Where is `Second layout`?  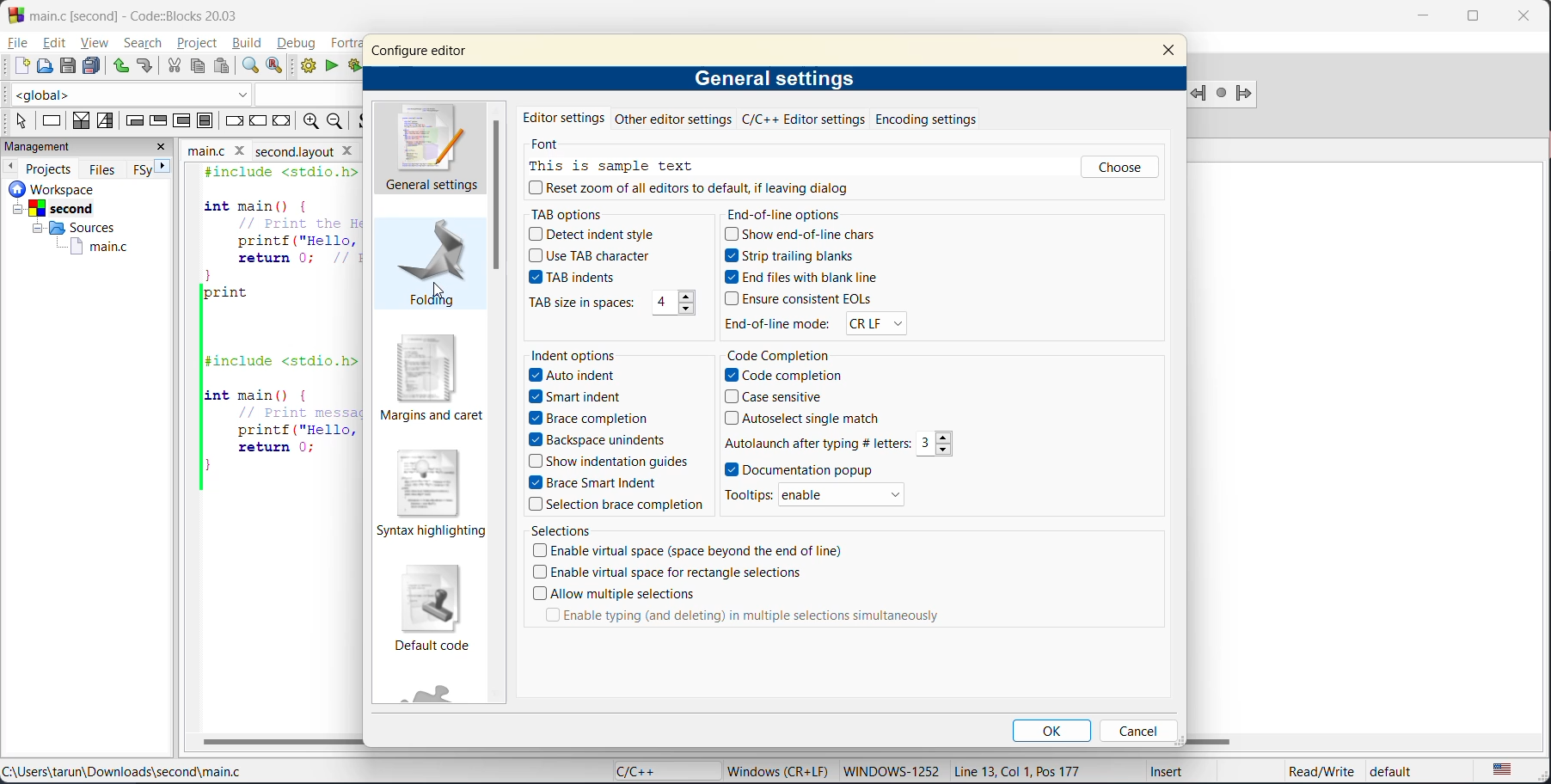 Second layout is located at coordinates (316, 149).